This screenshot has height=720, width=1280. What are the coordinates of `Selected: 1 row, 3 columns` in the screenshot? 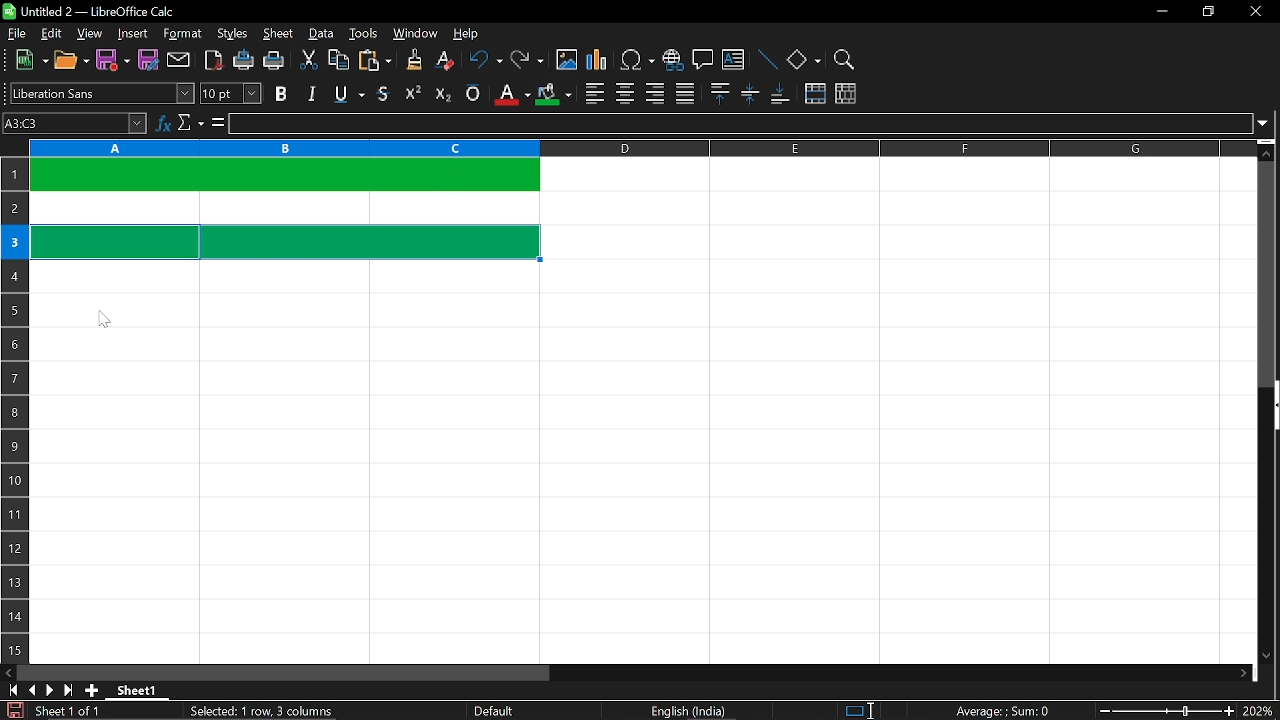 It's located at (266, 711).